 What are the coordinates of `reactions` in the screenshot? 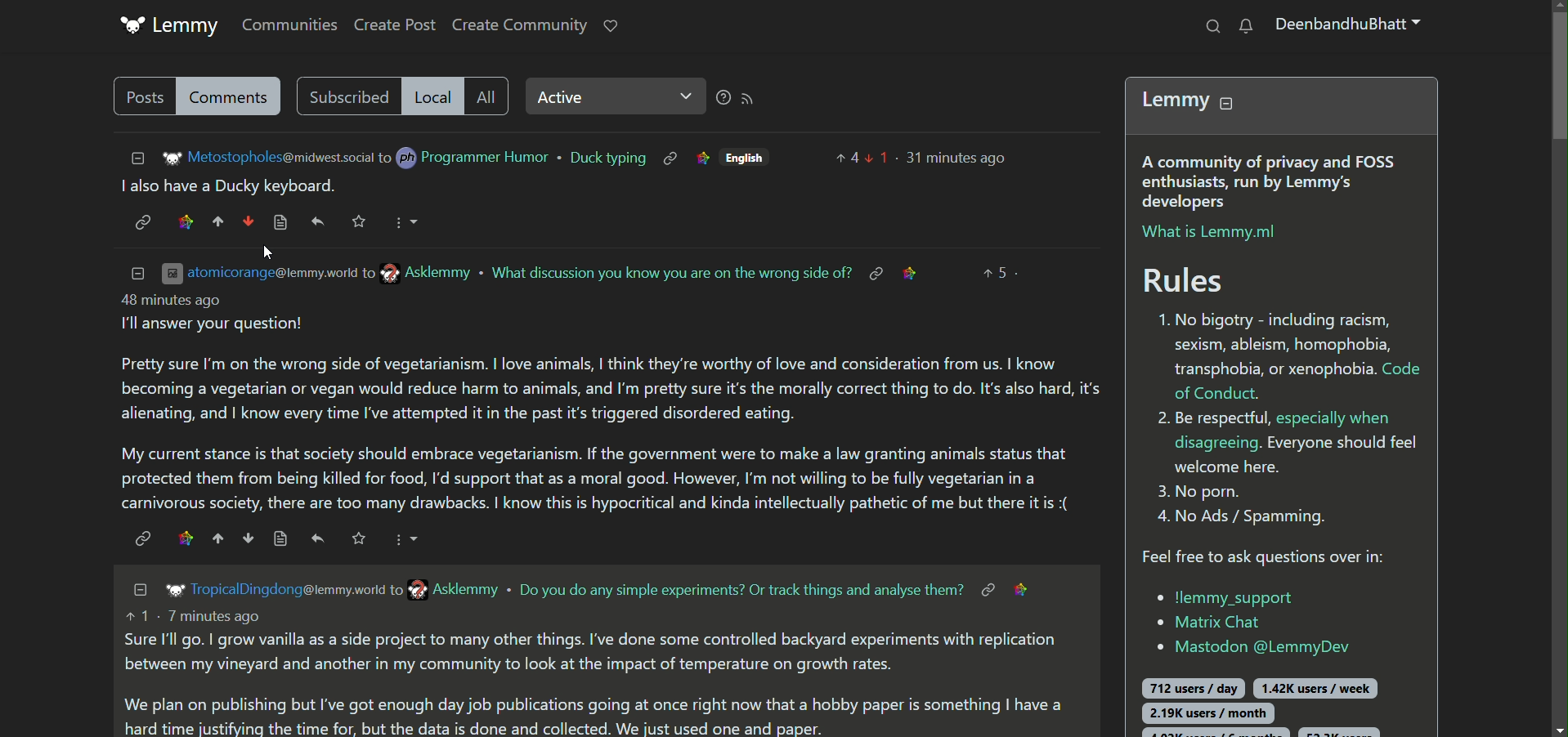 It's located at (859, 157).